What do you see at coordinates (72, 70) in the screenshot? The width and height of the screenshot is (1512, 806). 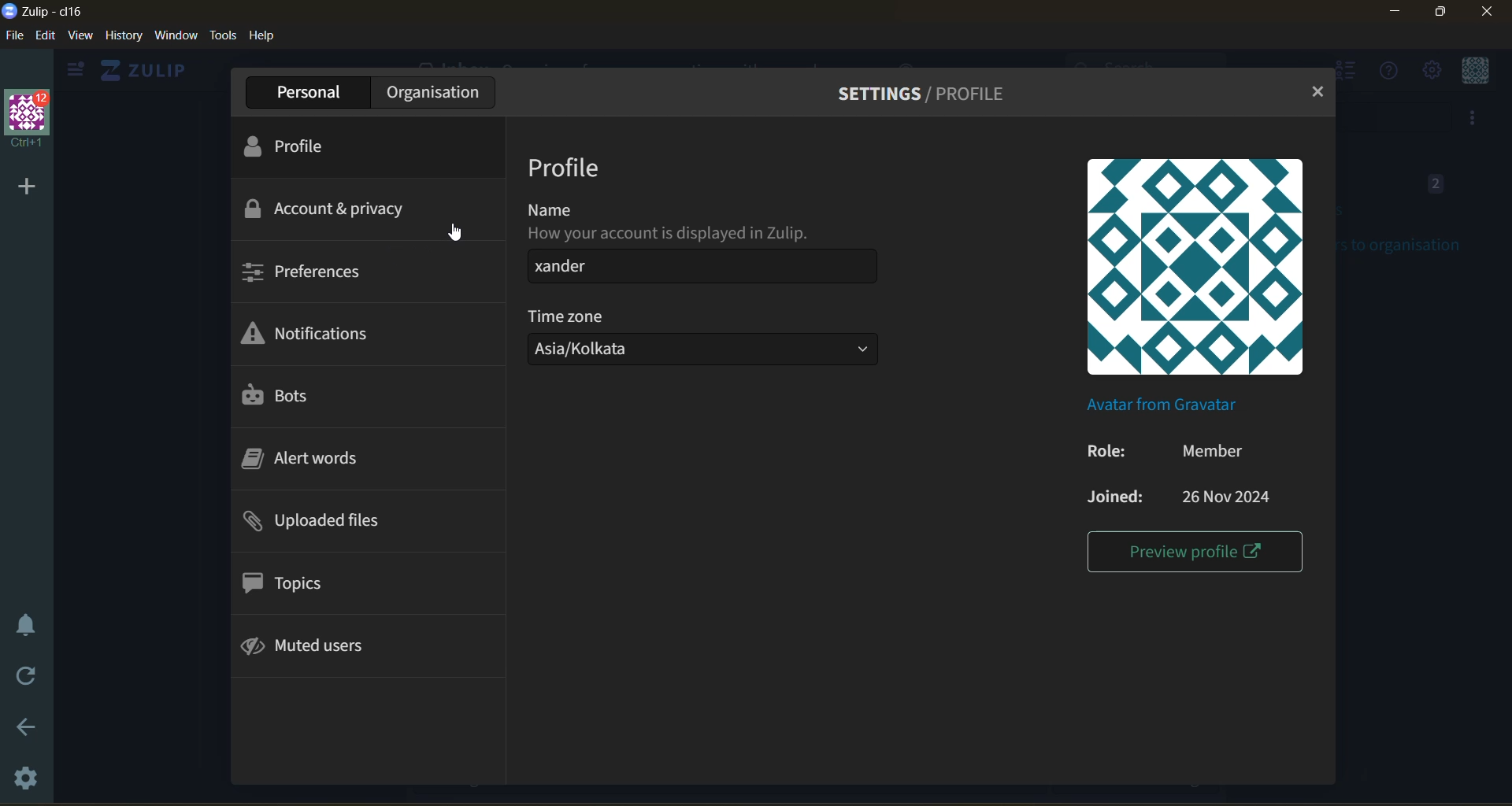 I see `show left sidebar` at bounding box center [72, 70].